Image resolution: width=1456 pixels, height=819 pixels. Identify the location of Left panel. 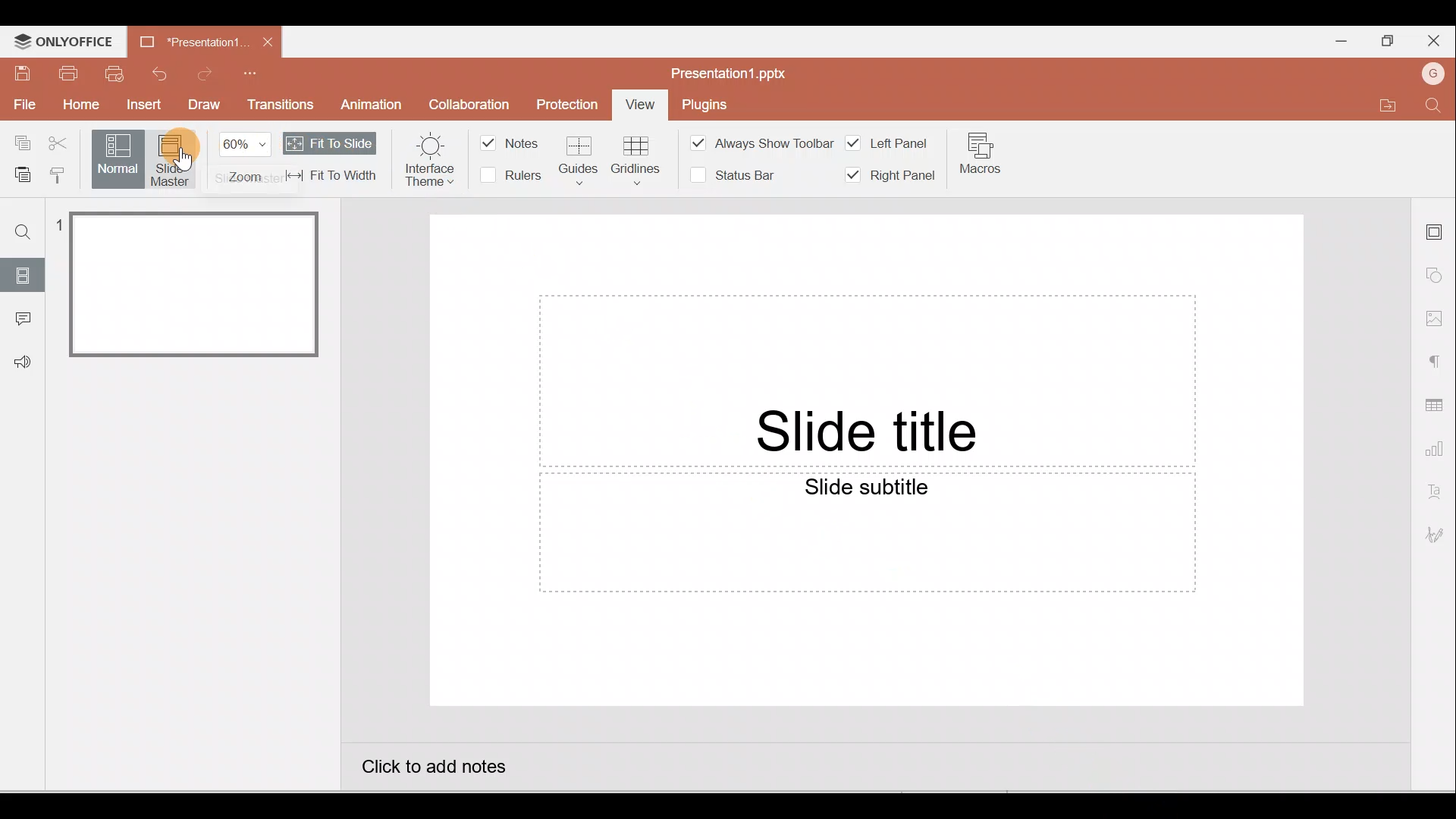
(889, 140).